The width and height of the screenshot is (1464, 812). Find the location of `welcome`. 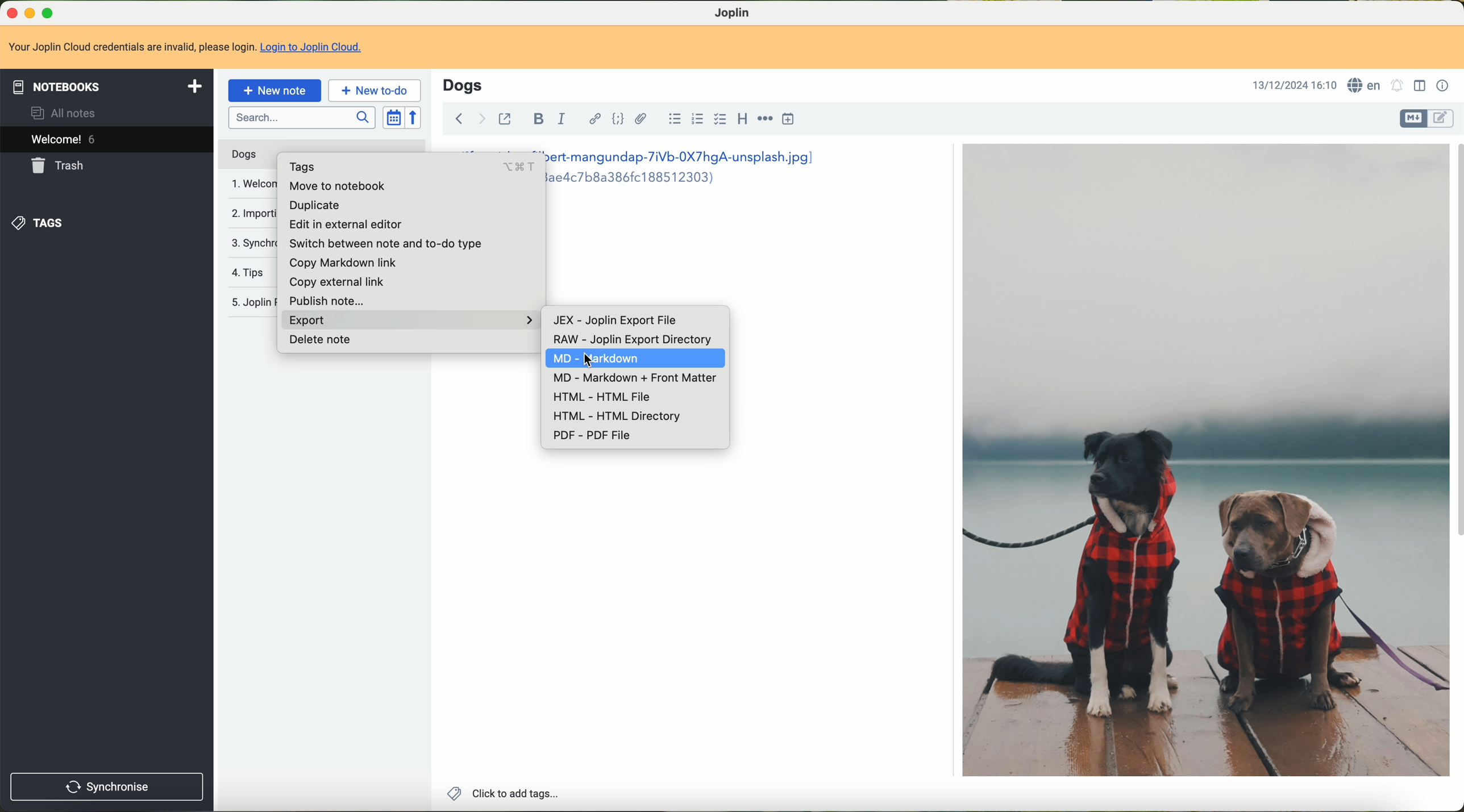

welcome is located at coordinates (107, 141).